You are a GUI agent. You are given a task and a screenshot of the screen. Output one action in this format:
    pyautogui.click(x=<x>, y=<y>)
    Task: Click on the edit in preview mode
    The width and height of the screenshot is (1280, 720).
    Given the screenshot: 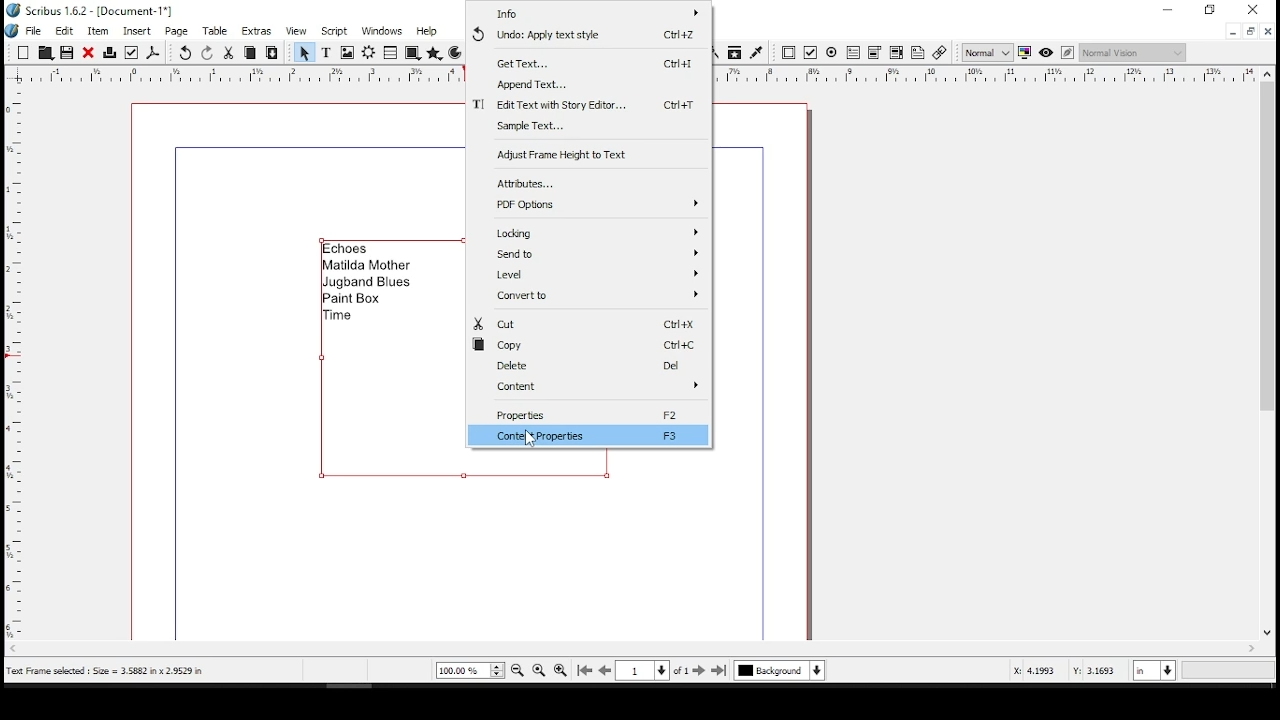 What is the action you would take?
    pyautogui.click(x=1070, y=53)
    